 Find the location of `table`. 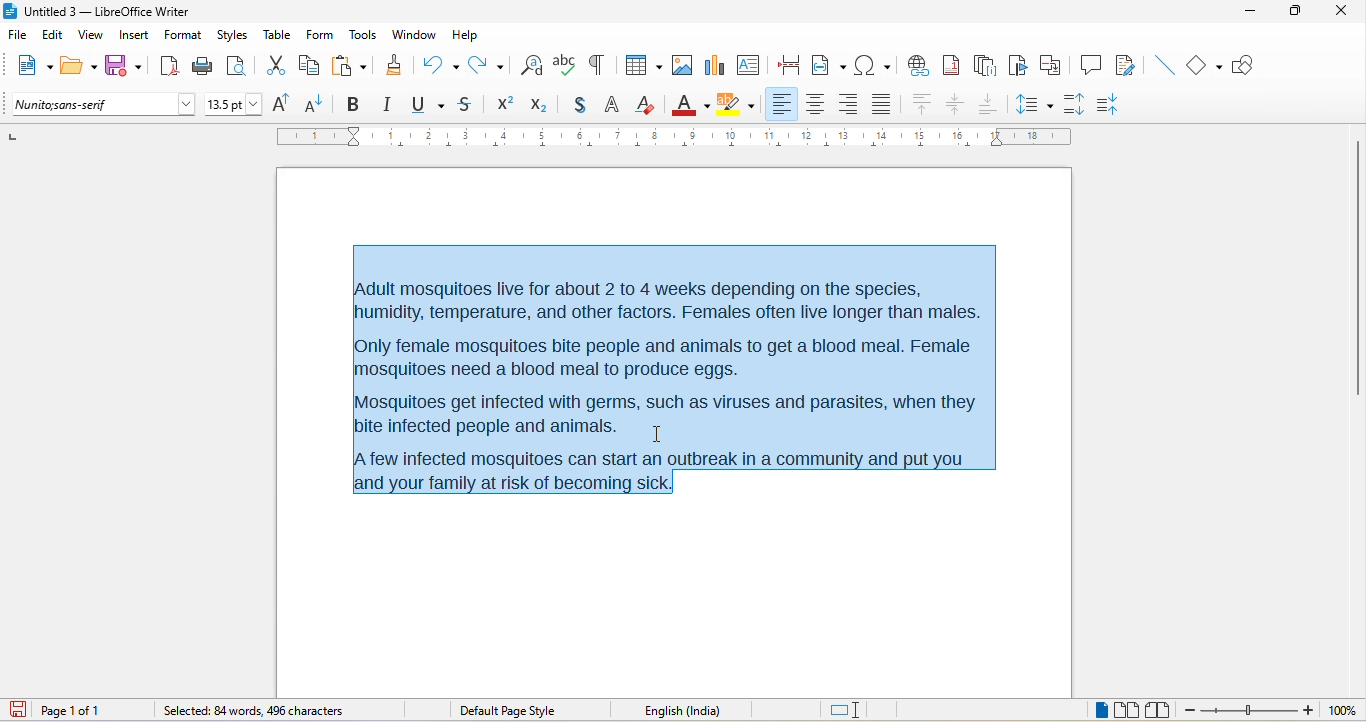

table is located at coordinates (640, 67).